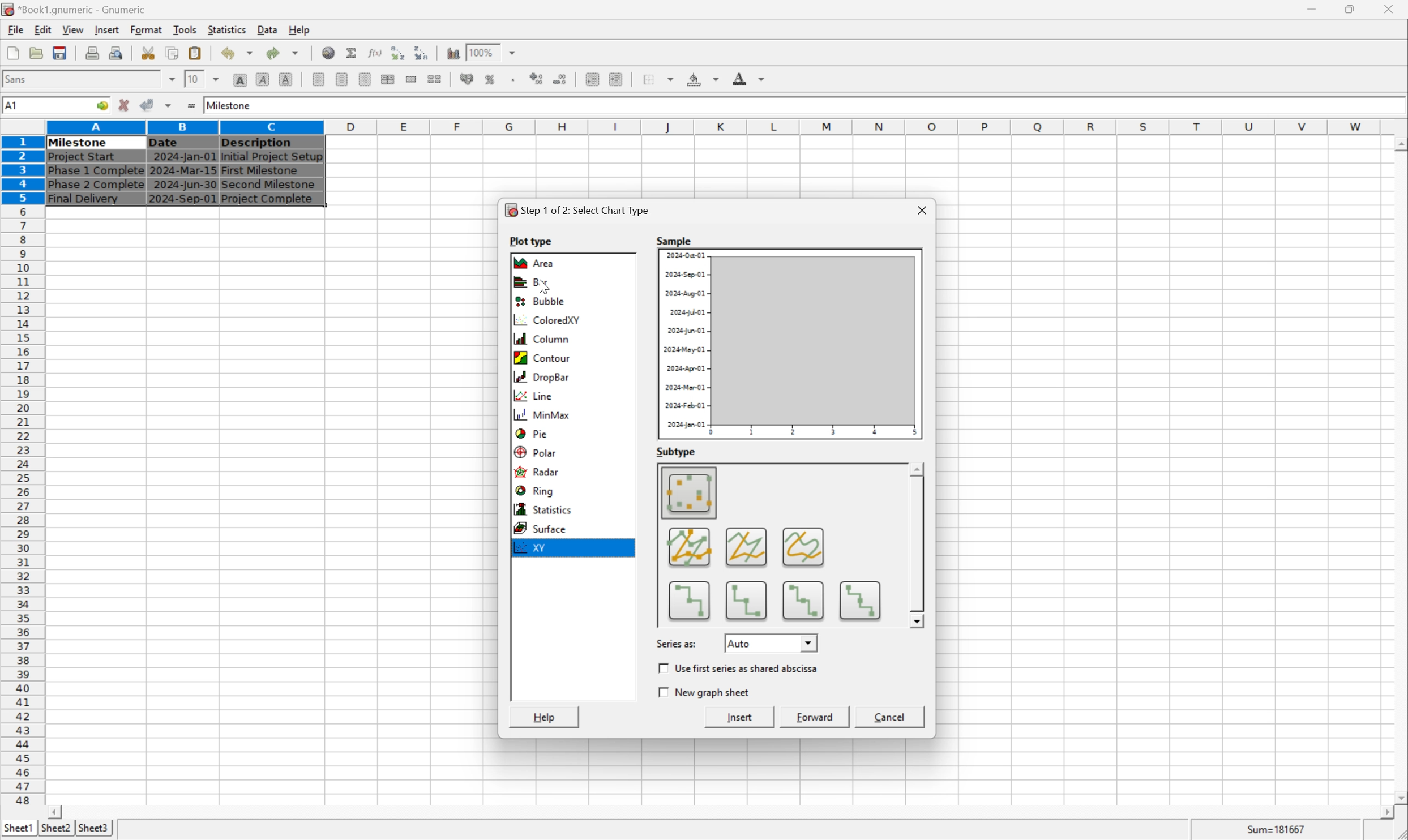  Describe the element at coordinates (516, 79) in the screenshot. I see `Set the format of the selected cells to include a thousands separator` at that location.